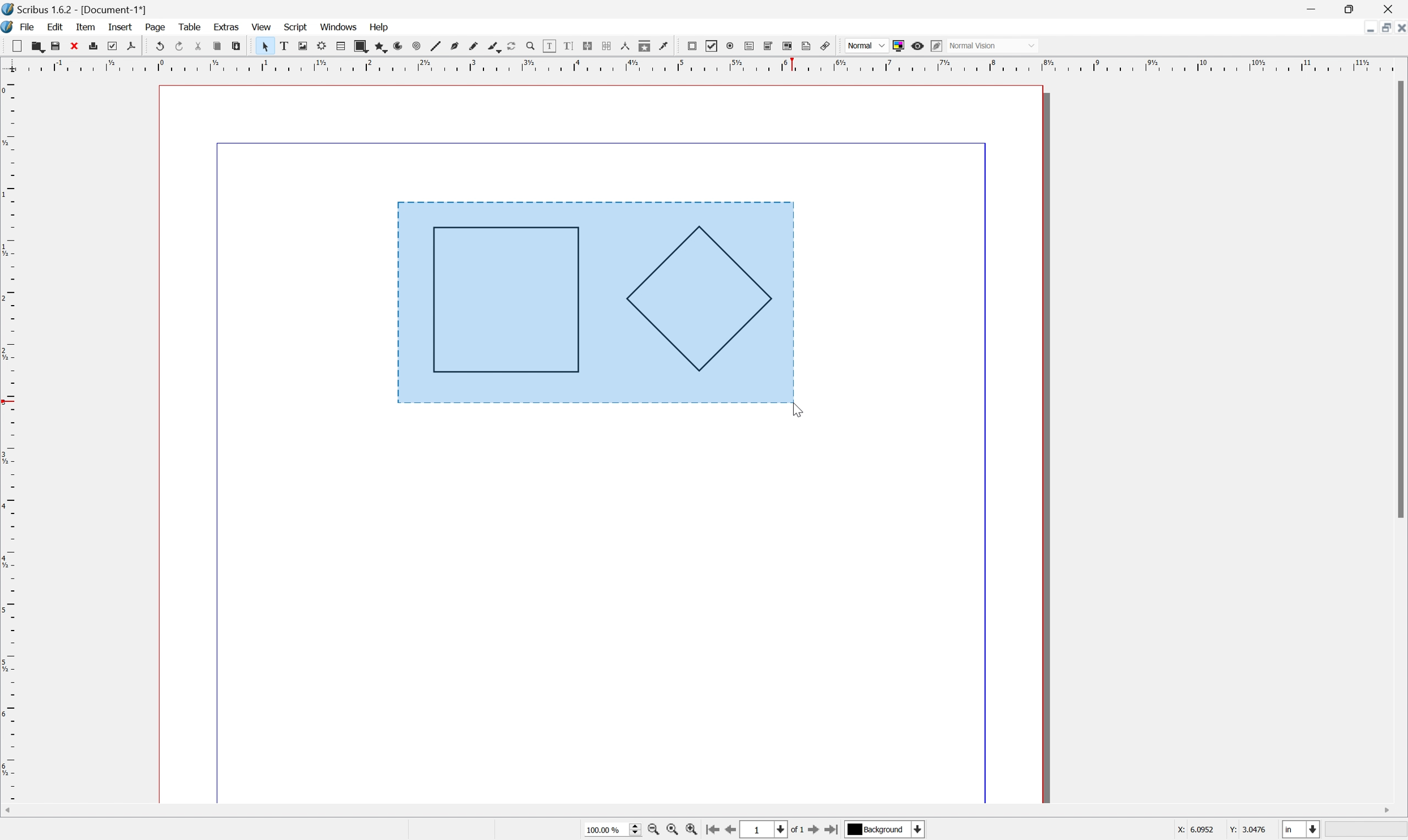 This screenshot has width=1408, height=840. I want to click on Close, so click(1392, 8).